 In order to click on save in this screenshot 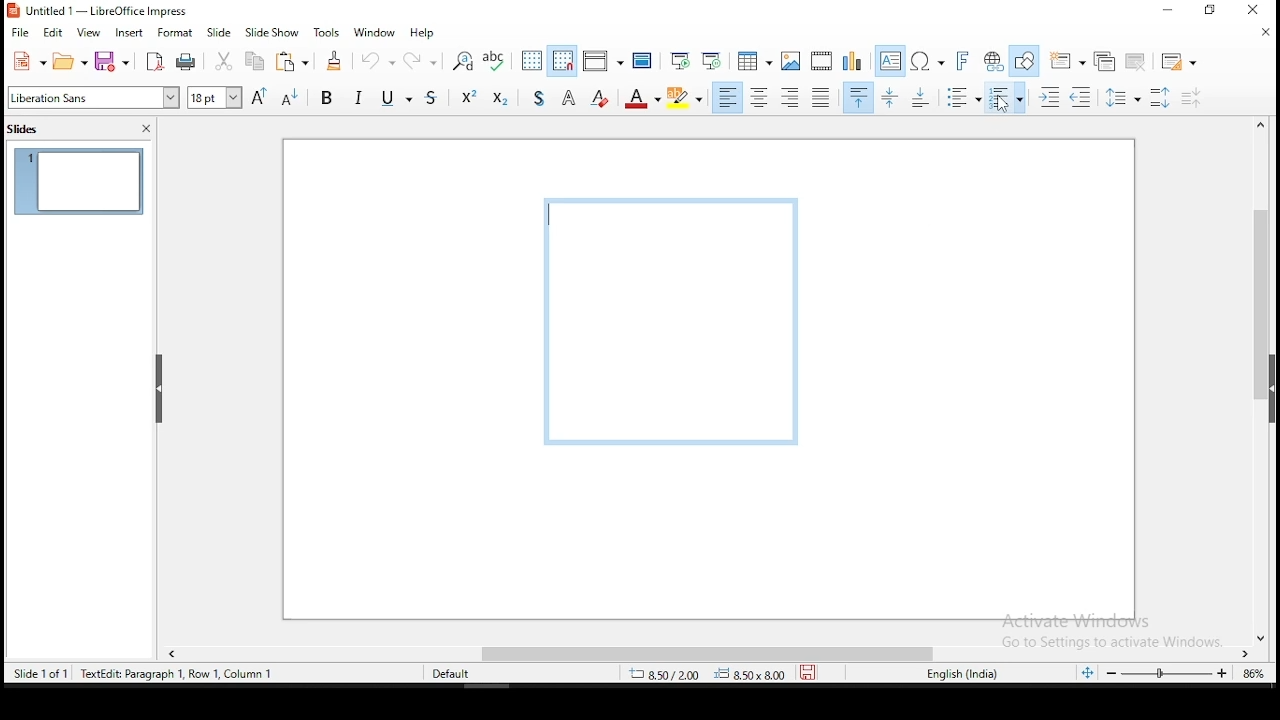, I will do `click(807, 671)`.